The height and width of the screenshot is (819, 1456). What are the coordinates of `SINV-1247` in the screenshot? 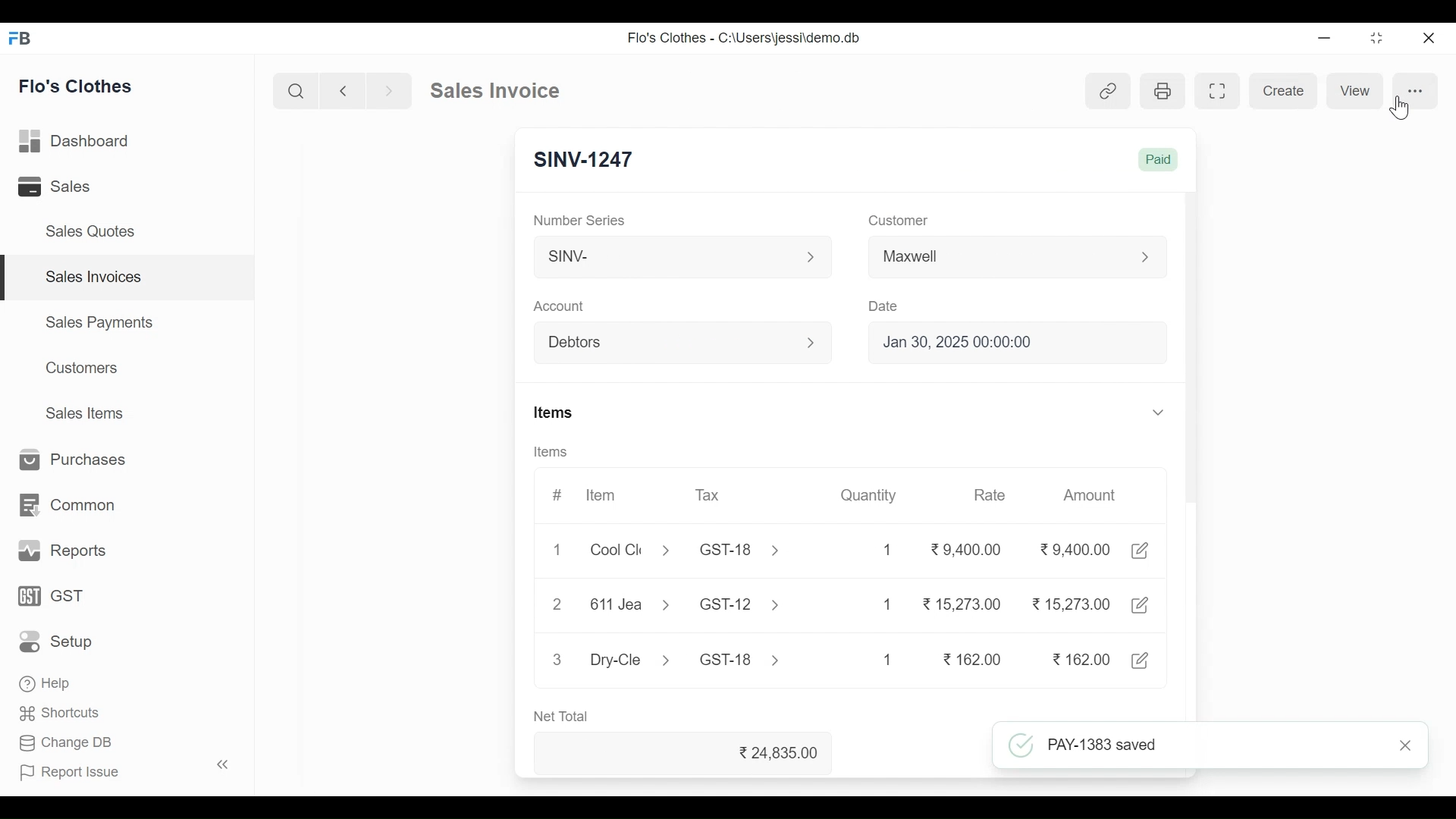 It's located at (585, 157).